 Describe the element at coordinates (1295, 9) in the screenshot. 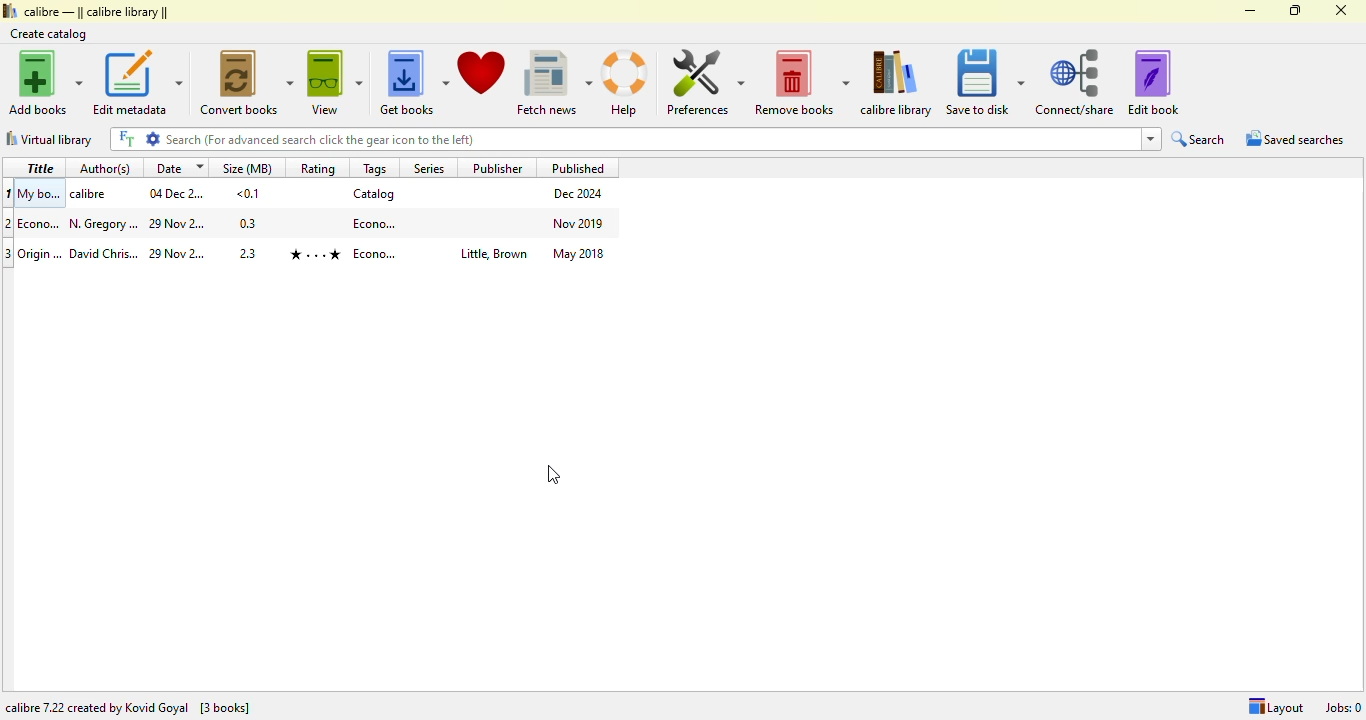

I see `maximize` at that location.